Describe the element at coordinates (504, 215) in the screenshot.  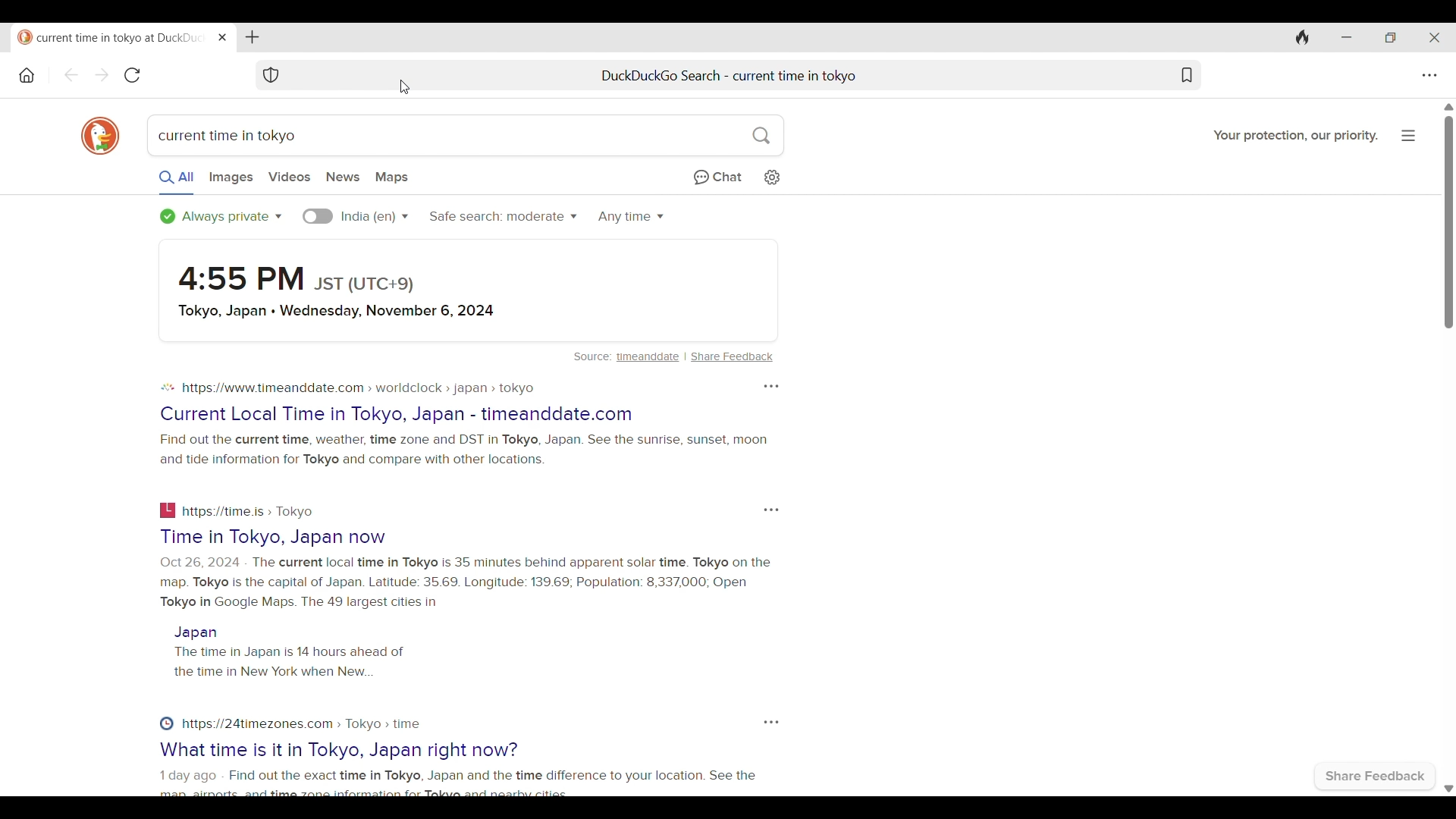
I see `Safe search options` at that location.